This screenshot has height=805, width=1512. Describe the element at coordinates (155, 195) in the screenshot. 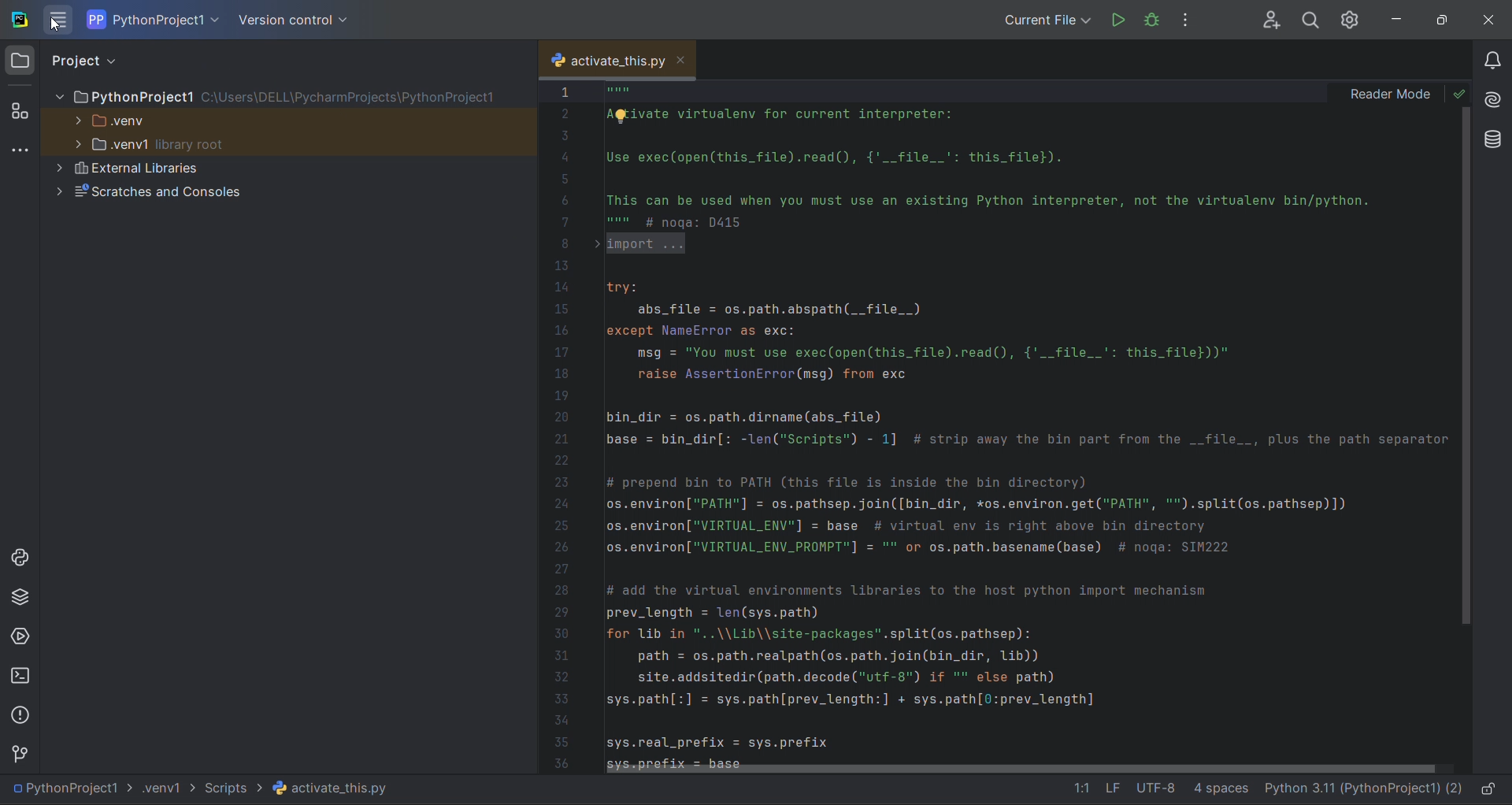

I see `Scratches and Consoles` at that location.